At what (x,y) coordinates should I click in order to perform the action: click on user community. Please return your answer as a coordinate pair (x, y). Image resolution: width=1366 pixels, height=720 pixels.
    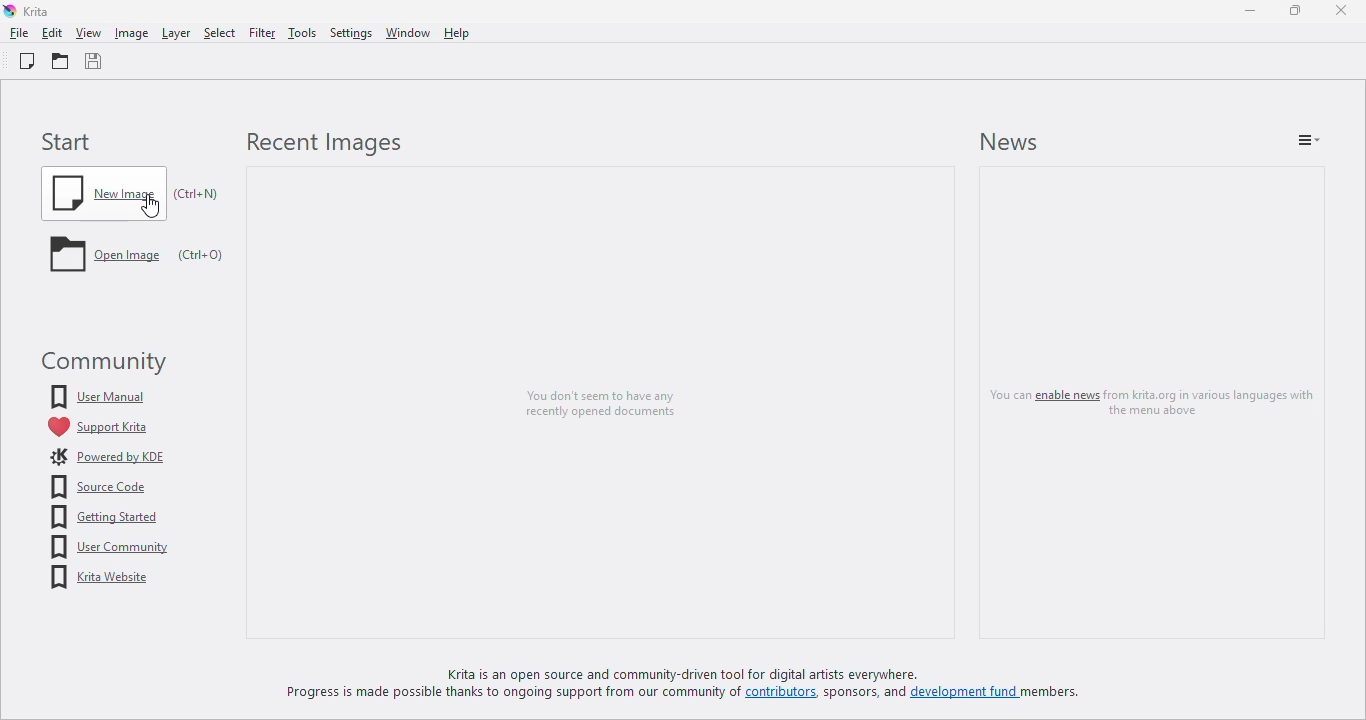
    Looking at the image, I should click on (108, 547).